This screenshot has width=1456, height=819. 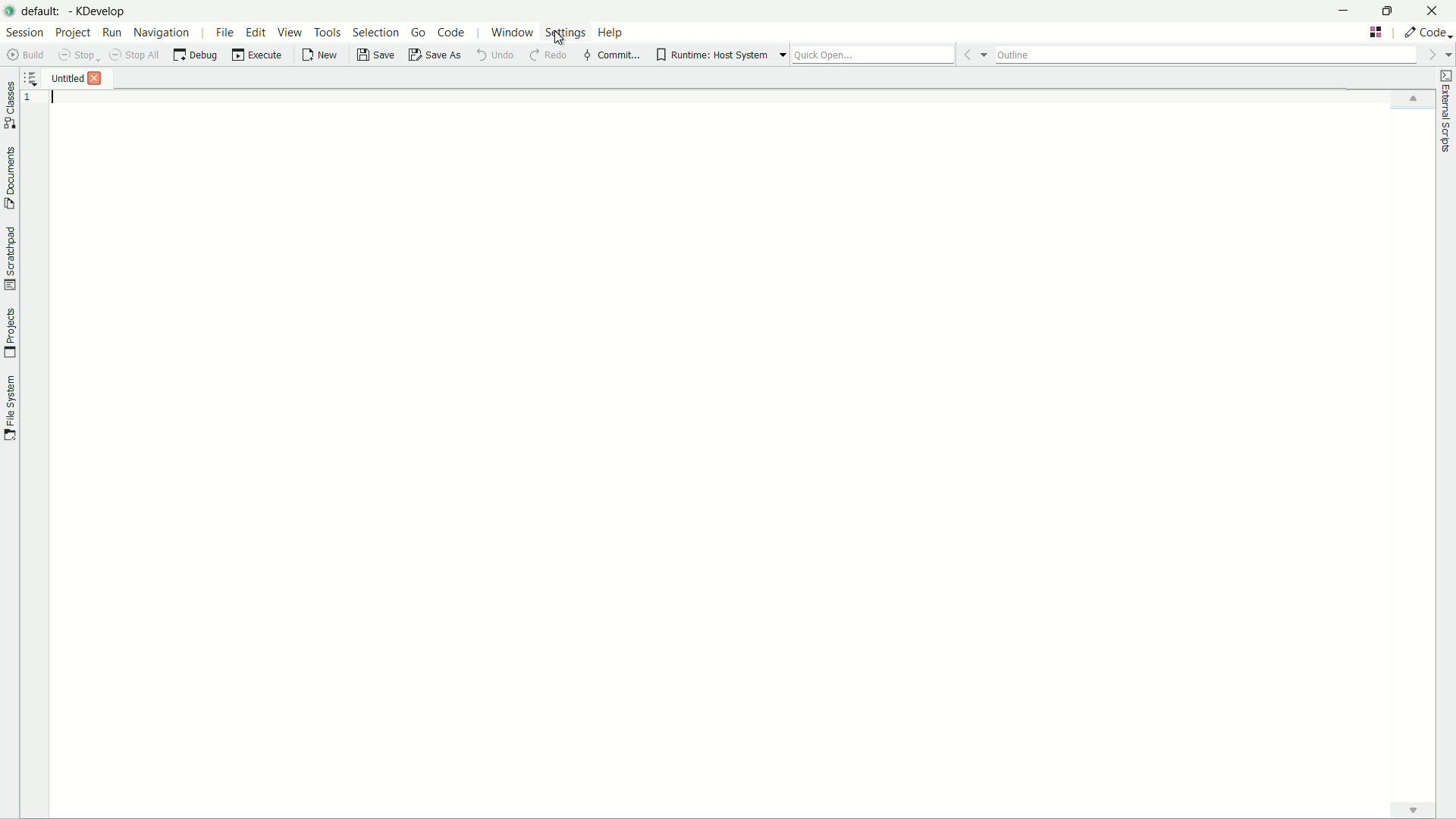 I want to click on go, so click(x=420, y=32).